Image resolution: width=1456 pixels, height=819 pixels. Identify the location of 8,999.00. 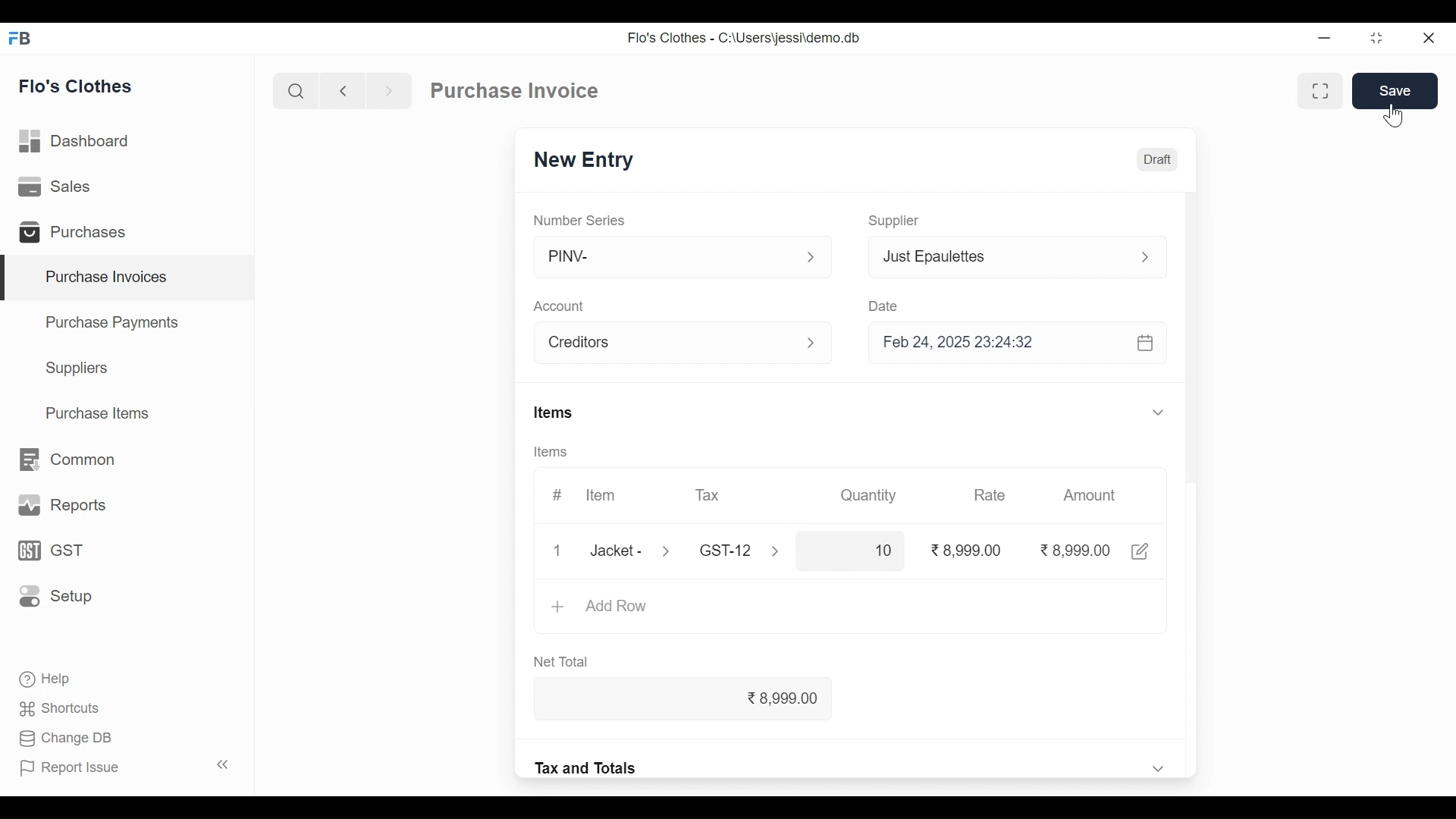
(1074, 550).